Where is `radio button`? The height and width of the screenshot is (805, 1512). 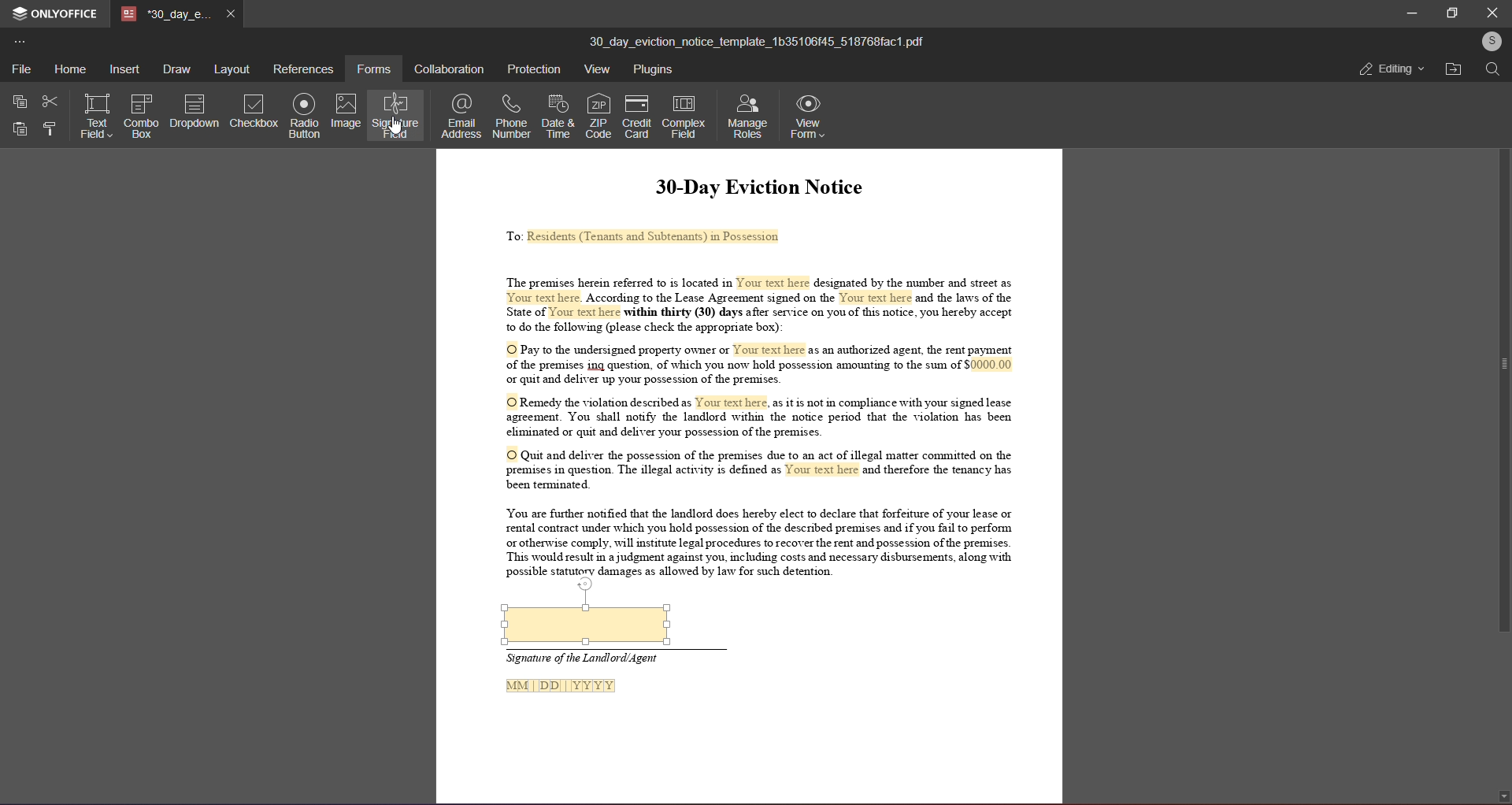 radio button is located at coordinates (305, 115).